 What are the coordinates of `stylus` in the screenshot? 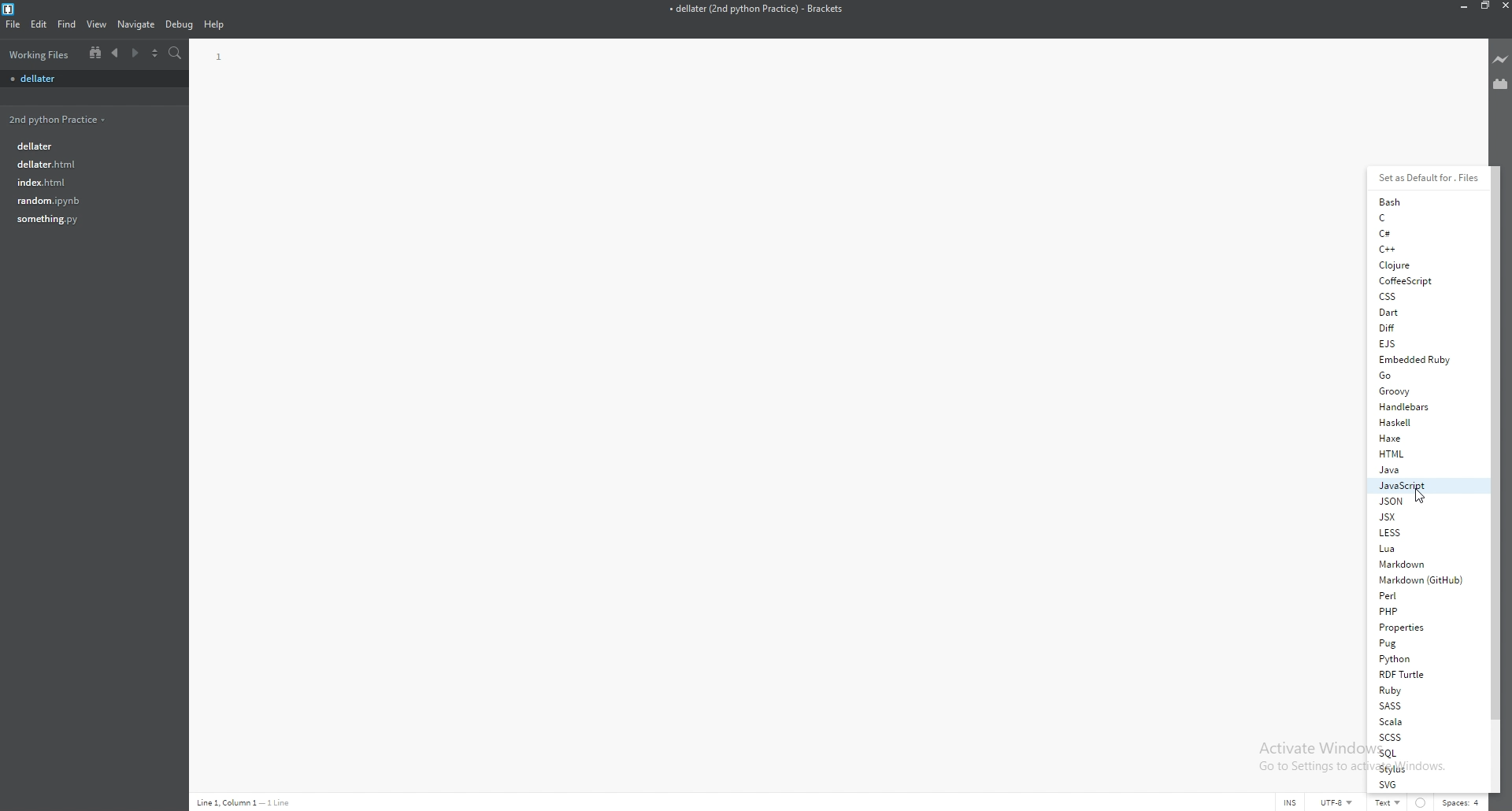 It's located at (1419, 768).